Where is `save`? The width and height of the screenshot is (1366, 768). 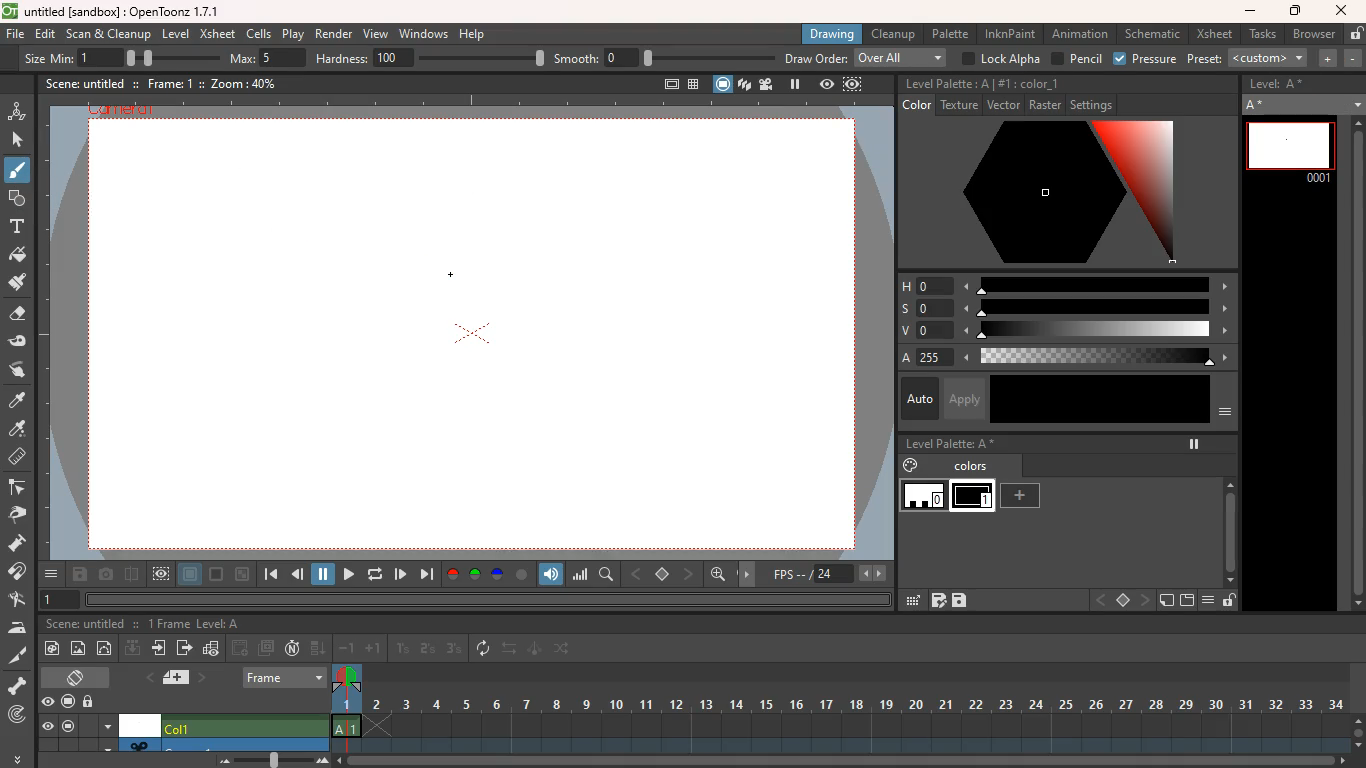
save is located at coordinates (961, 601).